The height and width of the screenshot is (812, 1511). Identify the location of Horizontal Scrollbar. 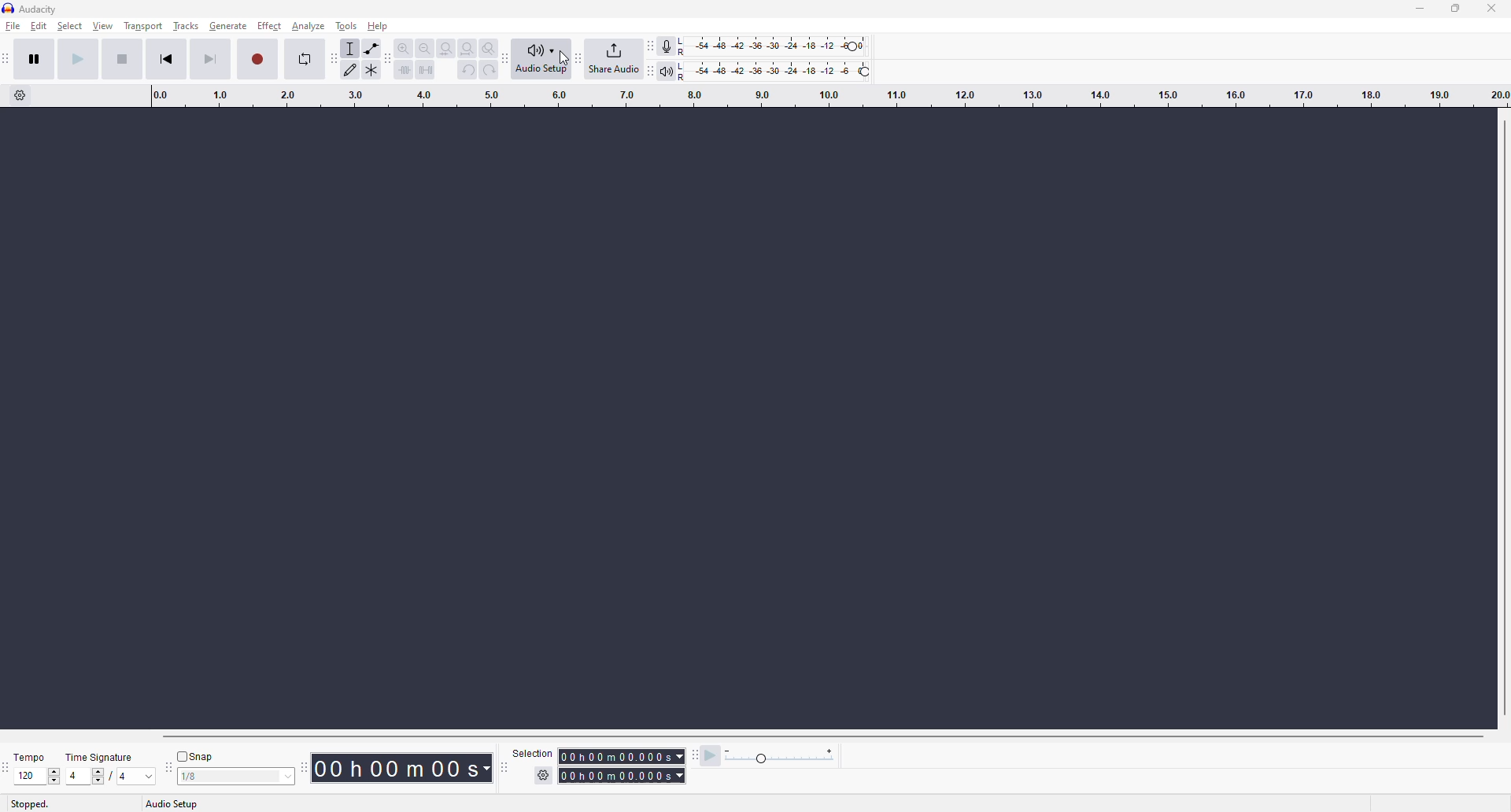
(808, 731).